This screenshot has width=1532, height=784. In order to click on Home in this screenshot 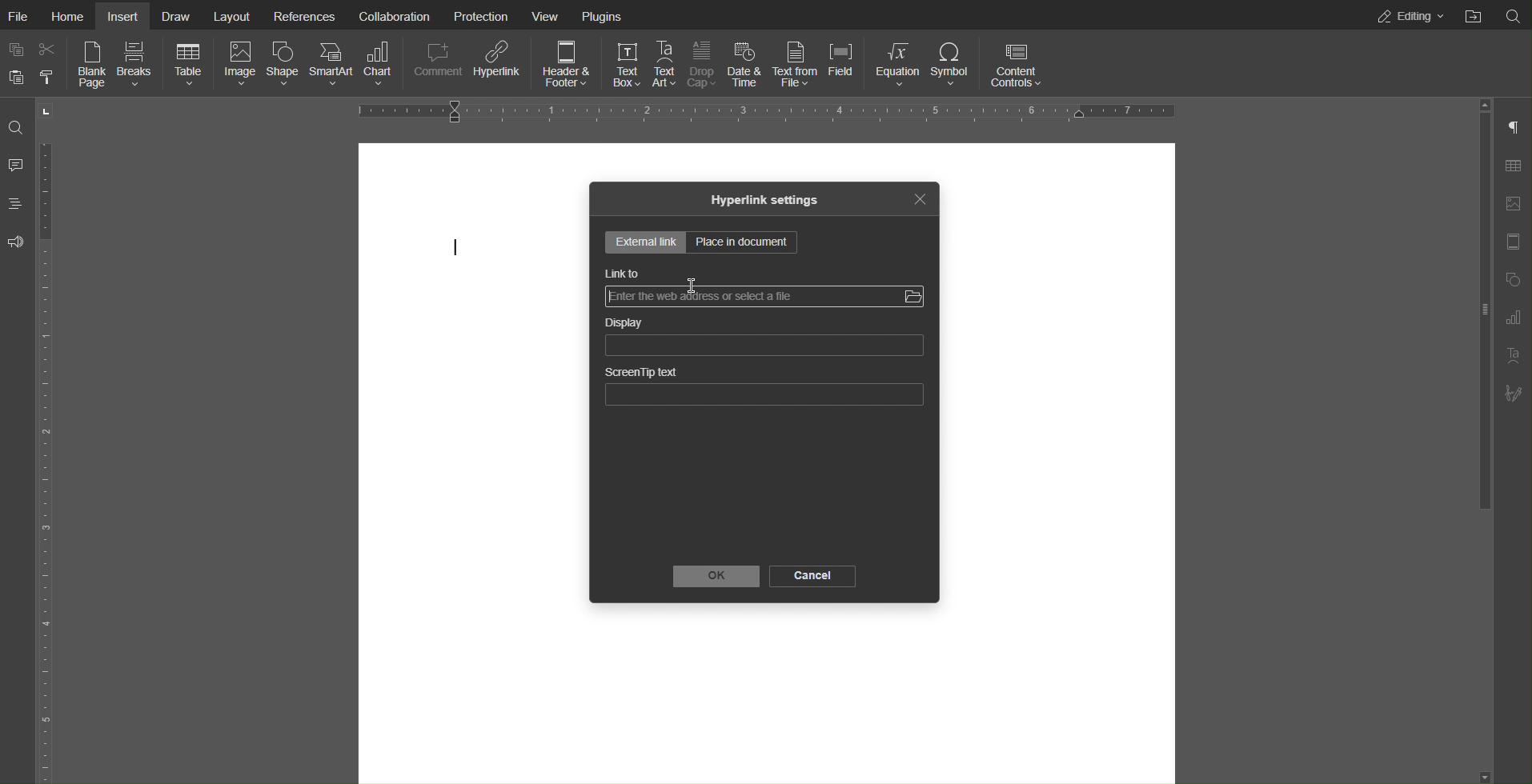, I will do `click(71, 16)`.